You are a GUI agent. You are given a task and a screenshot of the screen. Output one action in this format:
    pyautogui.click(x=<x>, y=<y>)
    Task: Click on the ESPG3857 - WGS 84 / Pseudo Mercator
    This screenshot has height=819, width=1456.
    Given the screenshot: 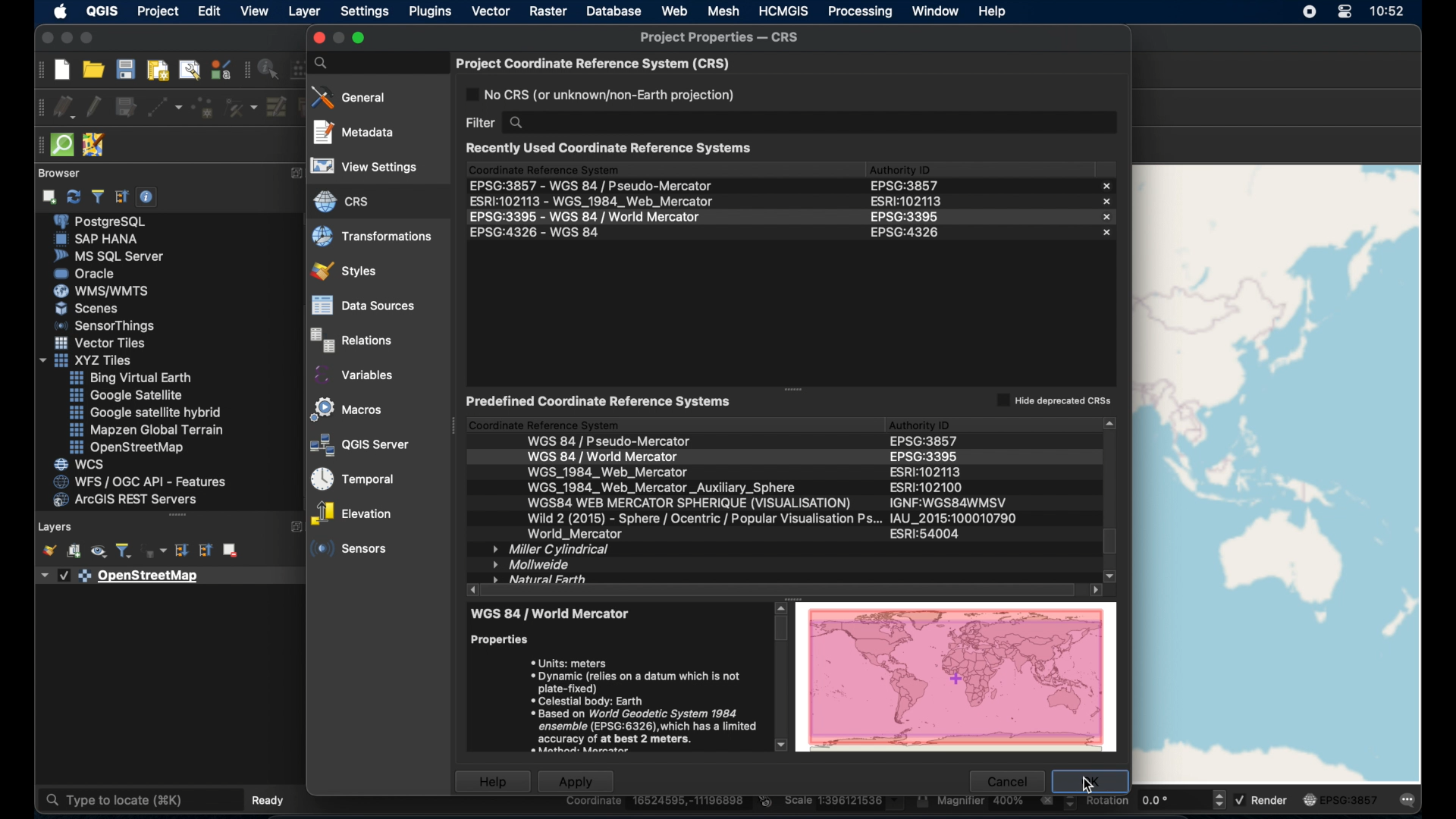 What is the action you would take?
    pyautogui.click(x=589, y=183)
    